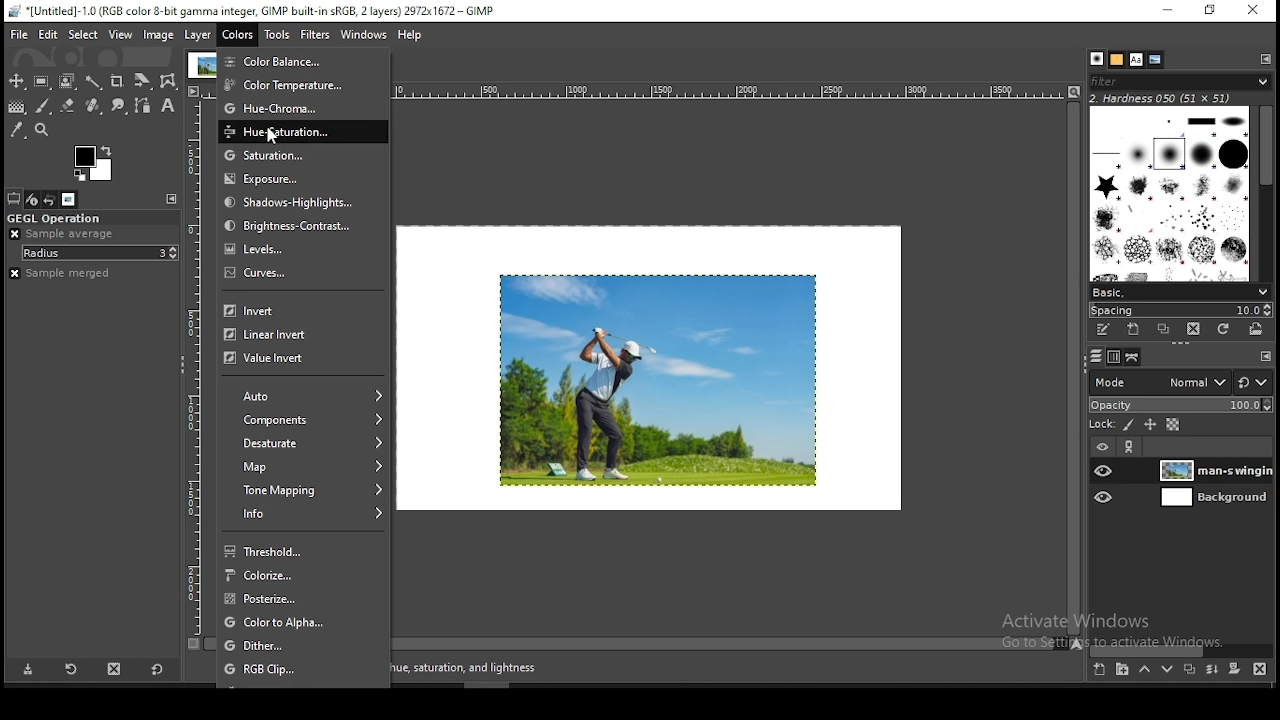 This screenshot has height=720, width=1280. I want to click on add a mask, so click(1236, 669).